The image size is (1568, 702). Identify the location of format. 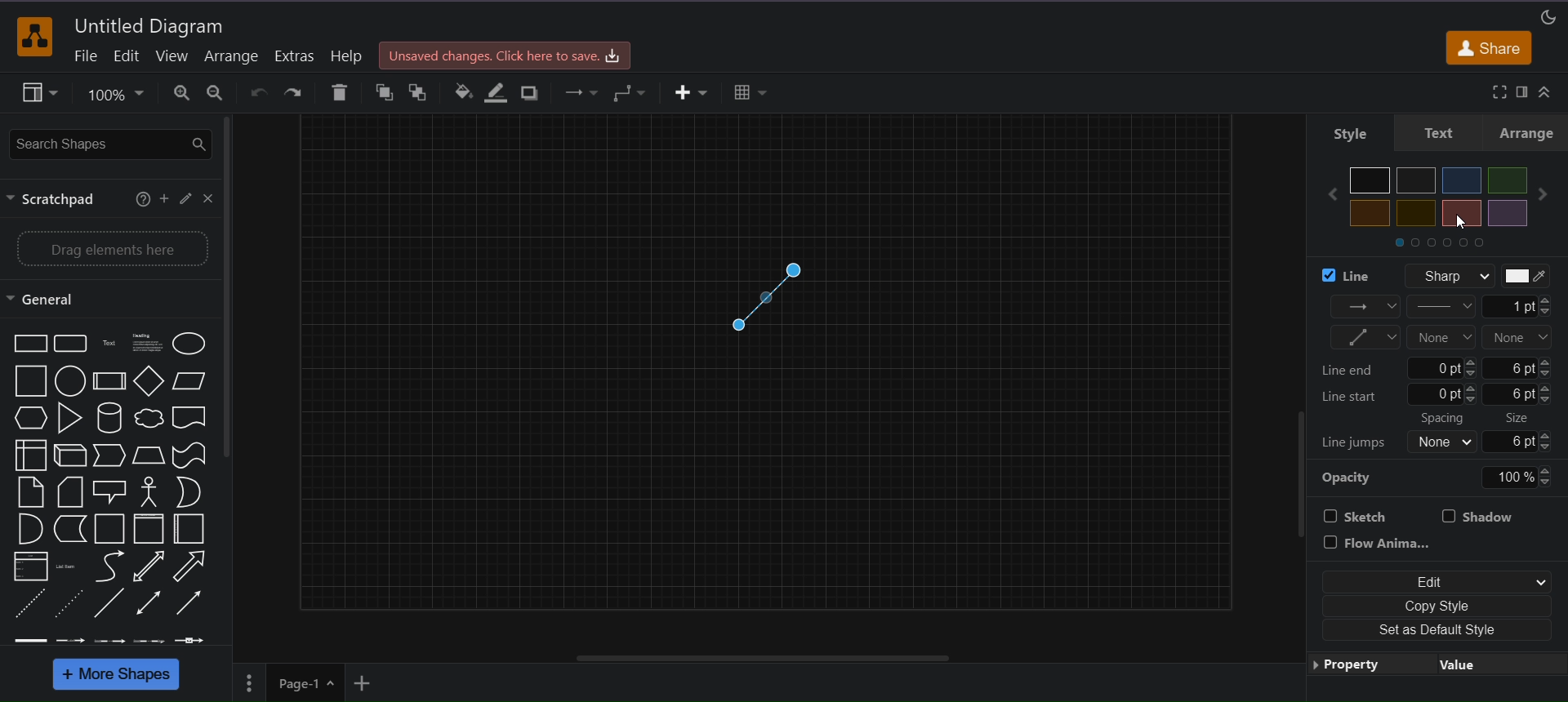
(1525, 91).